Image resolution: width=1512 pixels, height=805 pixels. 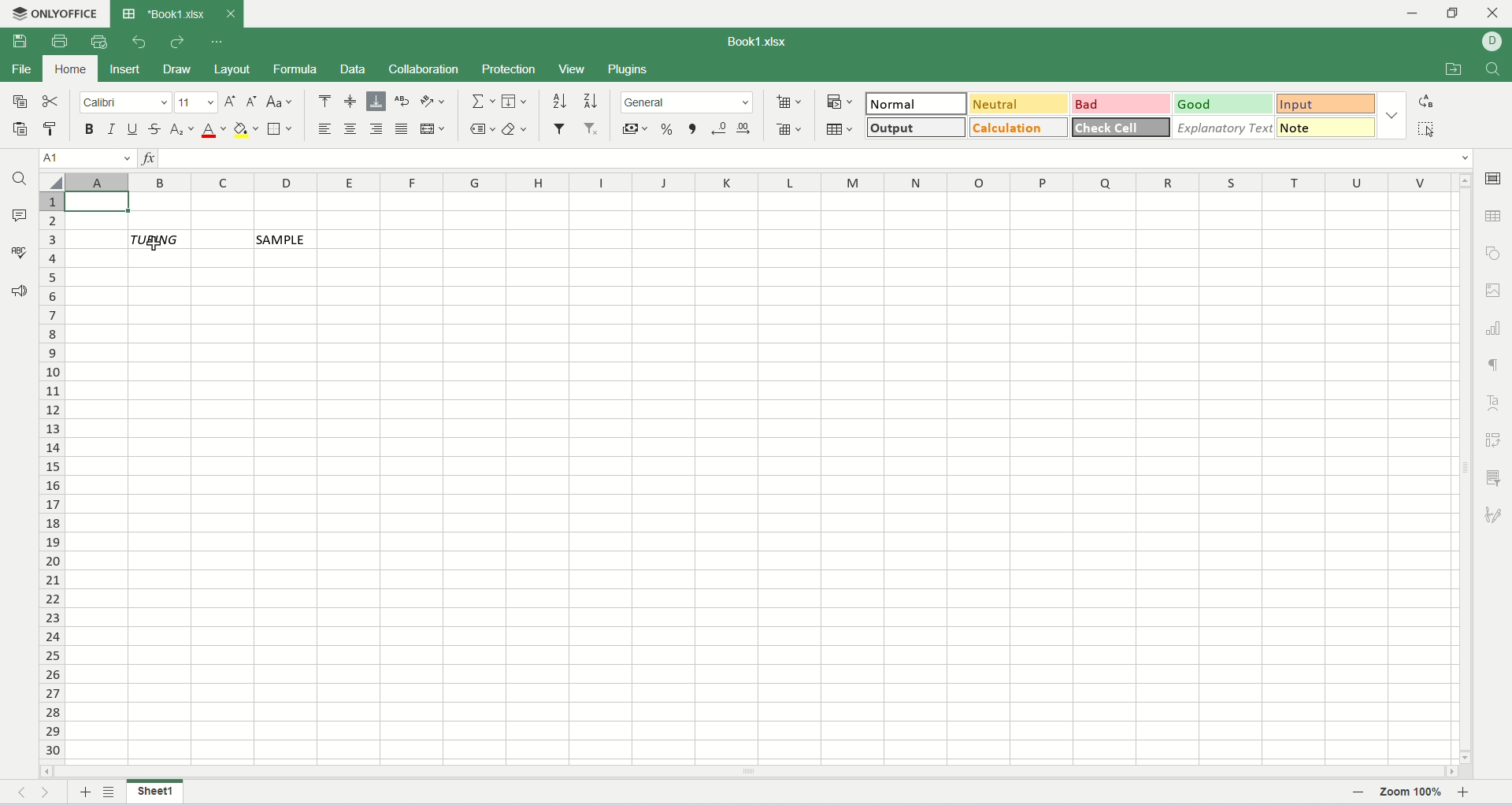 What do you see at coordinates (1466, 795) in the screenshot?
I see `zoom in` at bounding box center [1466, 795].